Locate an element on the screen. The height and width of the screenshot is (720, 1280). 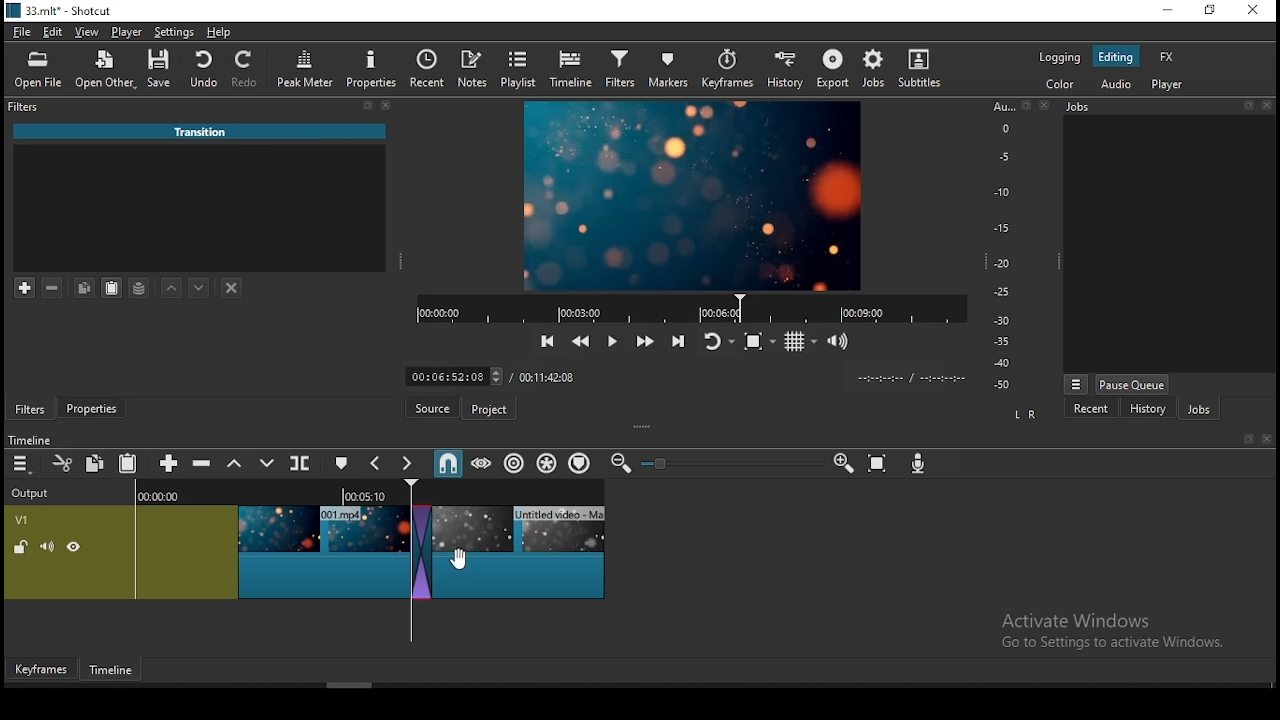
create/edit marker is located at coordinates (343, 465).